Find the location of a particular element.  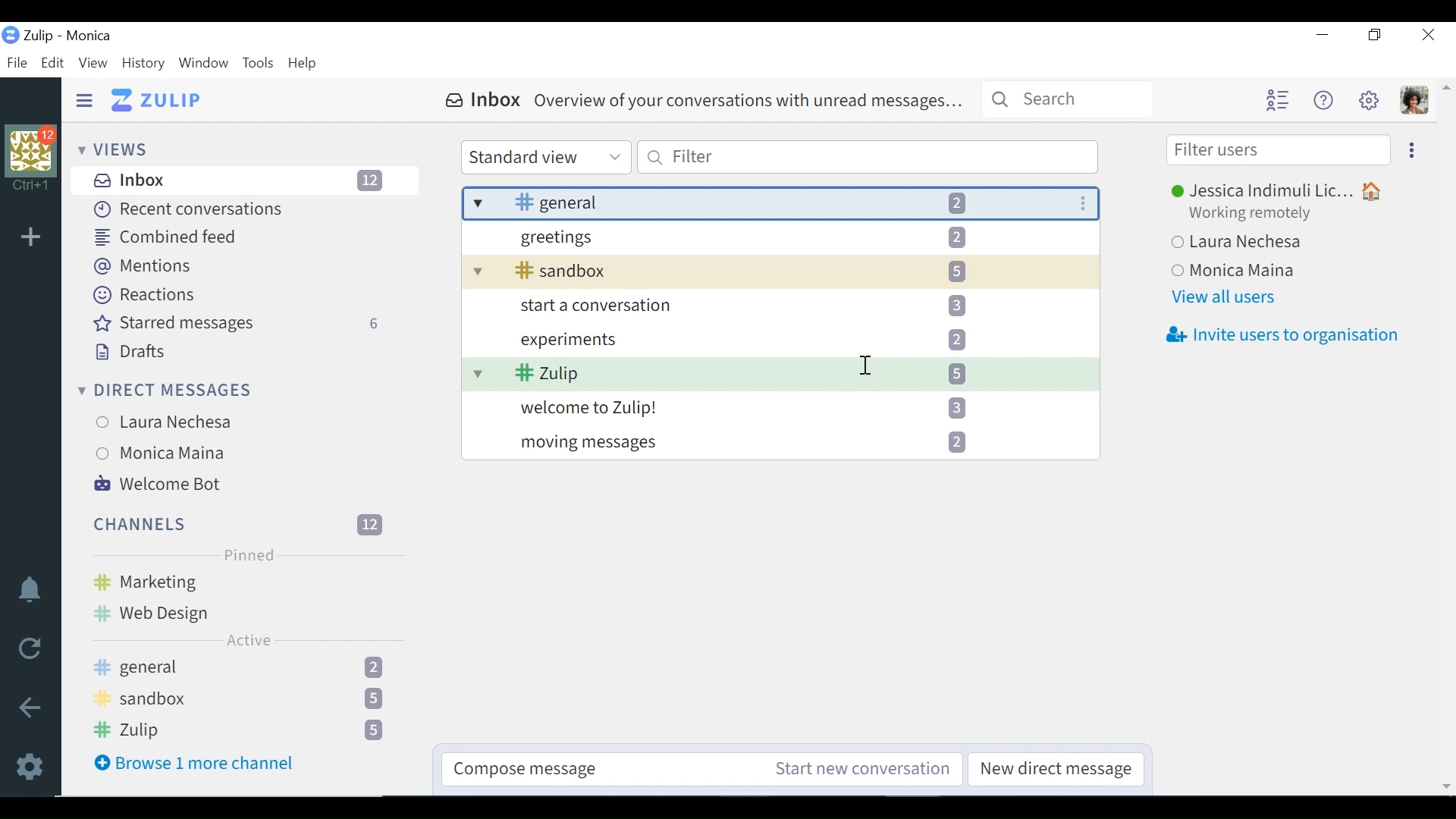

Hide SidePane is located at coordinates (85, 99).